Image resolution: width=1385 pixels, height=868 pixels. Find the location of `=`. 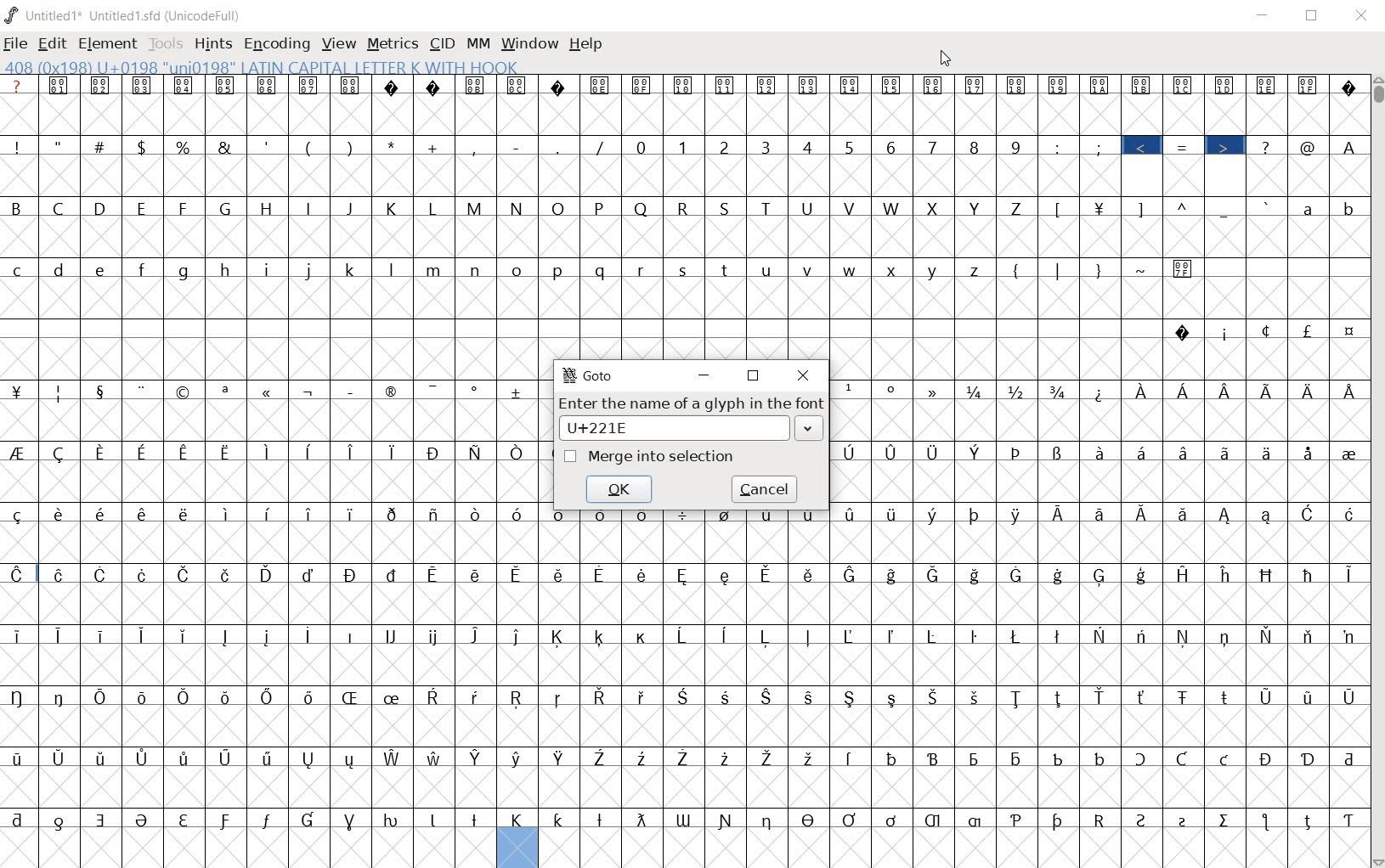

= is located at coordinates (1184, 145).